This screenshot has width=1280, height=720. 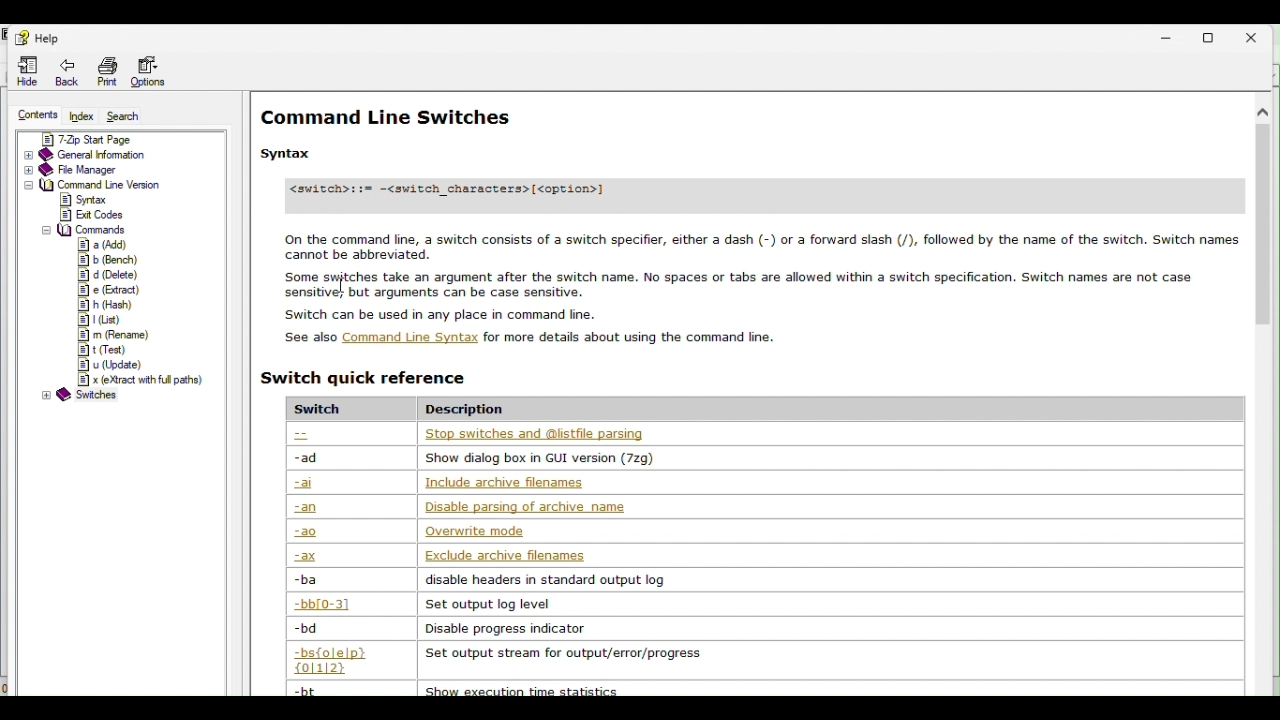 I want to click on 7-Zip File Manager. The 7-Zip File Manager is a program for manipulating files and folders. The 7-Zip File Manager can work with two panels. You can switch between panels by pressing the Tab button. Most of the operations can be executed using keyboard shortcuts or by right-clicking on items and selecting the appropriate command from menu., so click(x=762, y=195).